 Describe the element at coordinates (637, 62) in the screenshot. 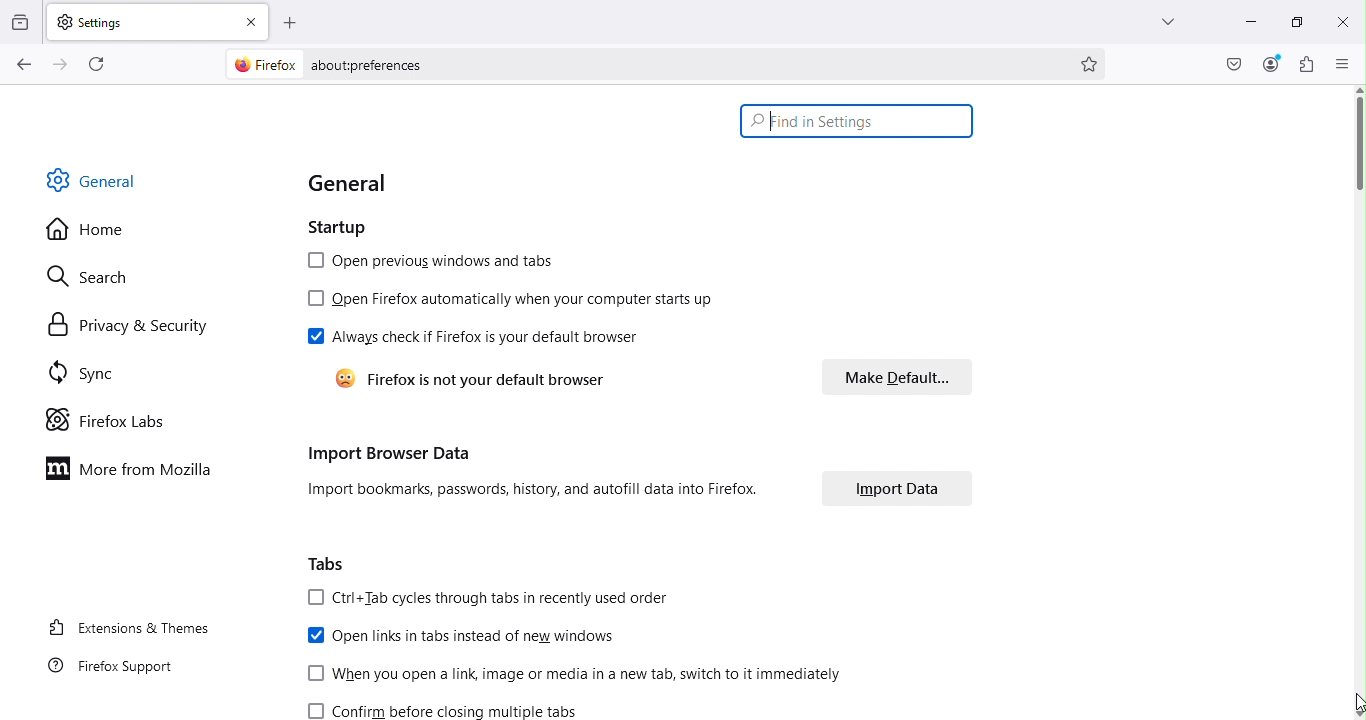

I see `Address bar` at that location.